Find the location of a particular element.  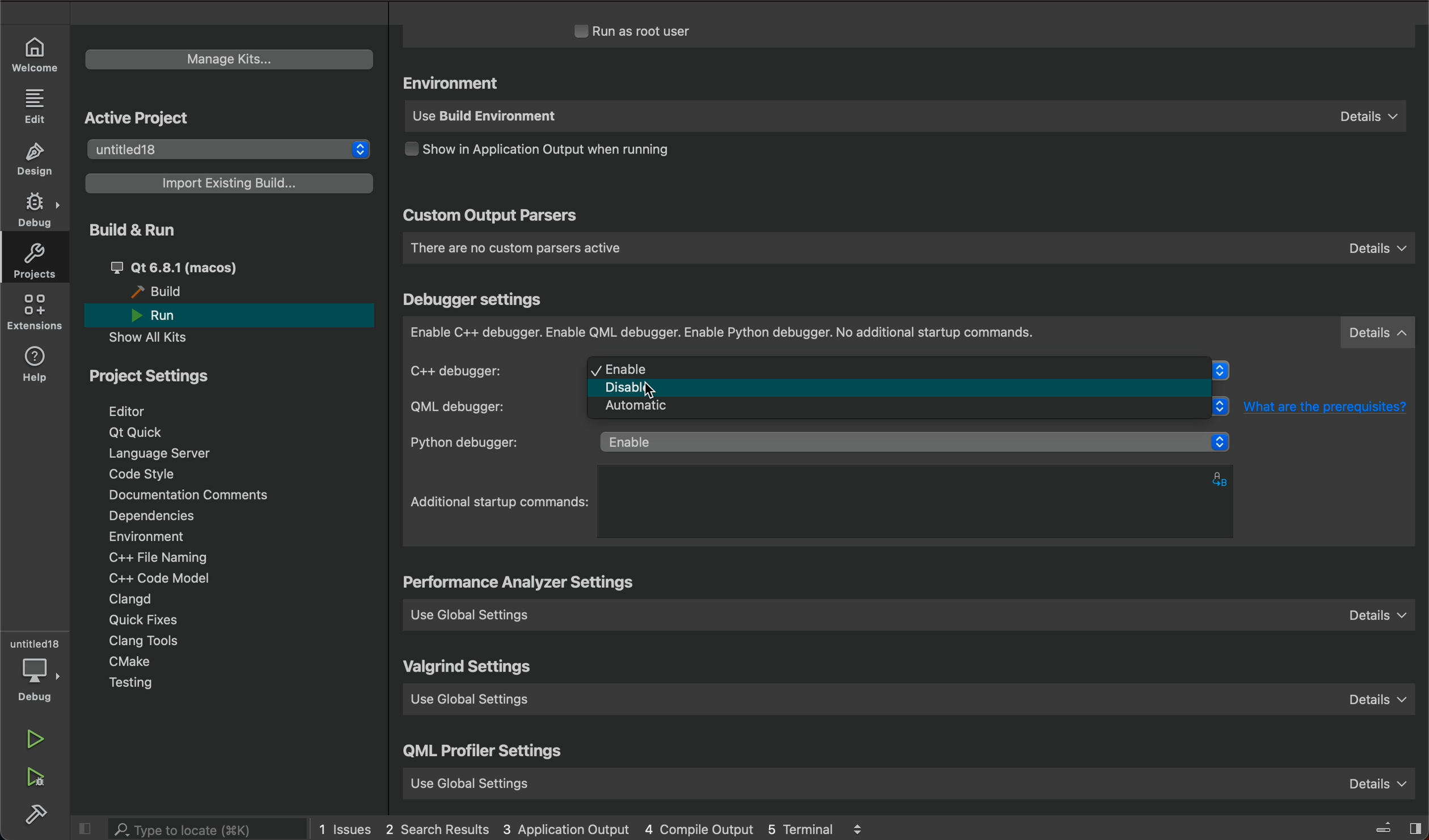

c++  is located at coordinates (489, 370).